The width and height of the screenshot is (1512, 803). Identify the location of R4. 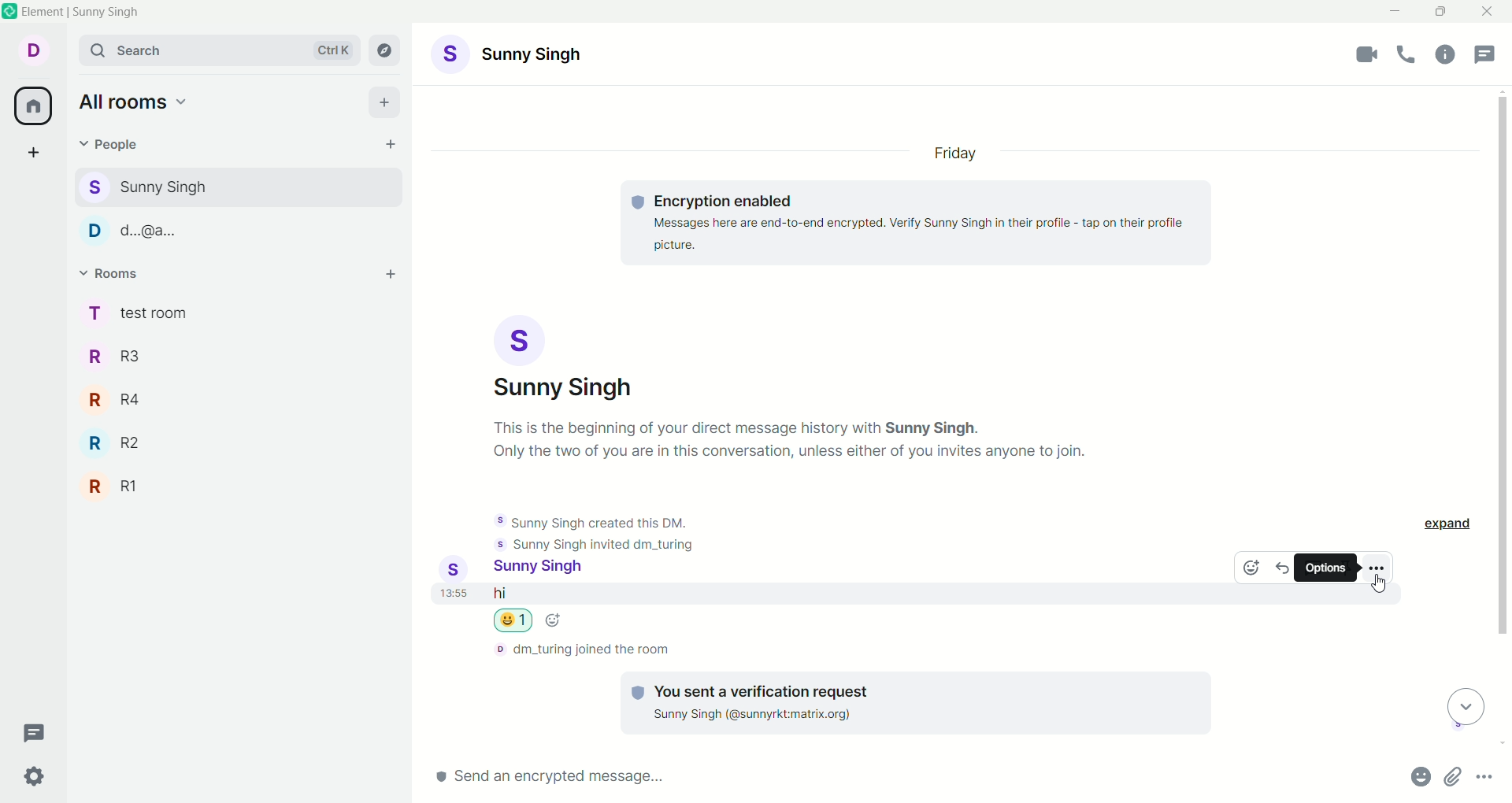
(118, 404).